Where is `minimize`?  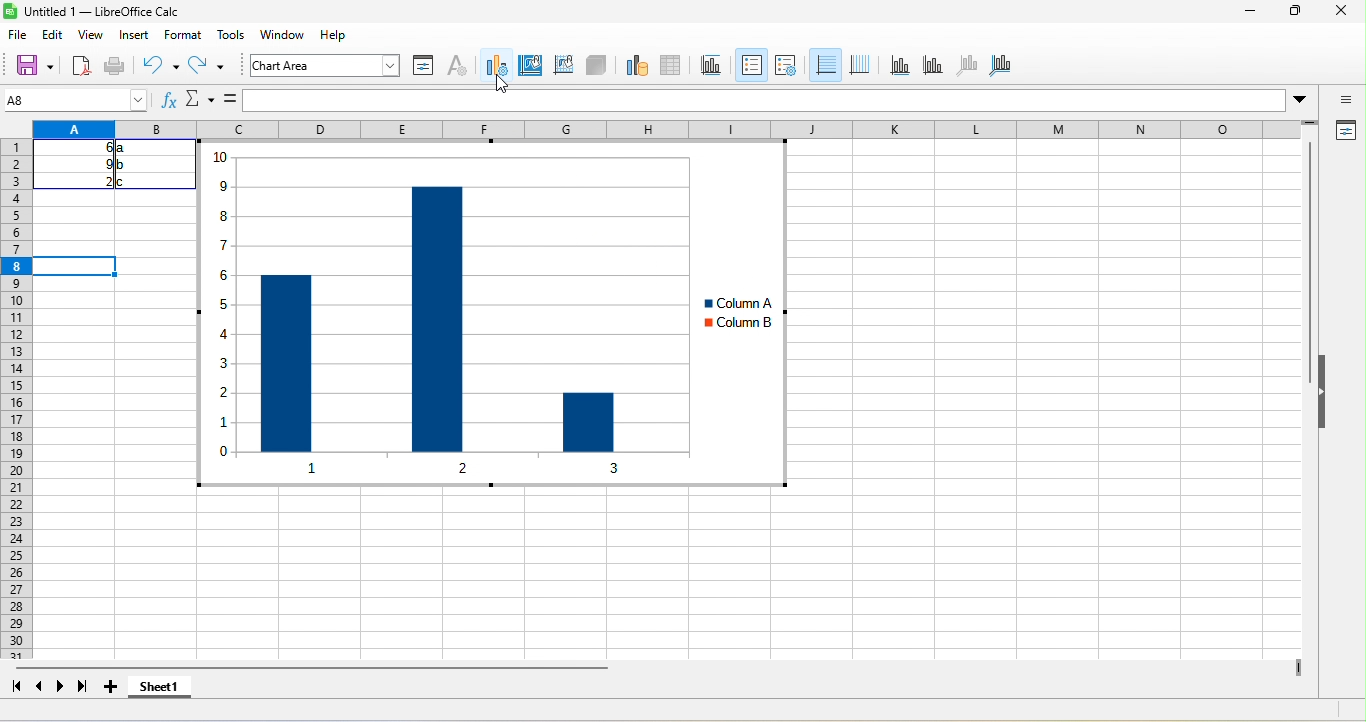
minimize is located at coordinates (1249, 12).